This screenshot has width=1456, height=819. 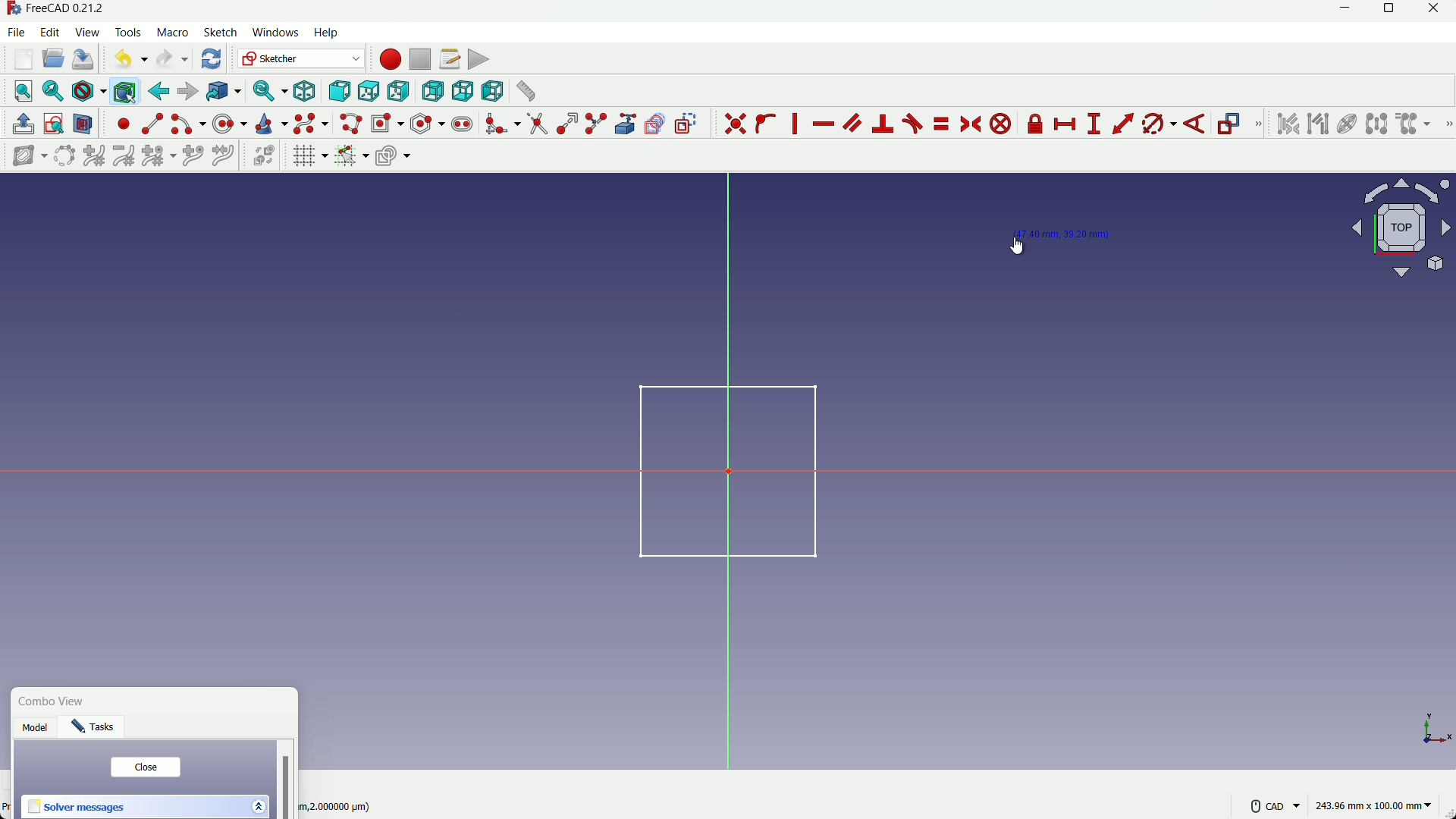 I want to click on constraint block, so click(x=1003, y=124).